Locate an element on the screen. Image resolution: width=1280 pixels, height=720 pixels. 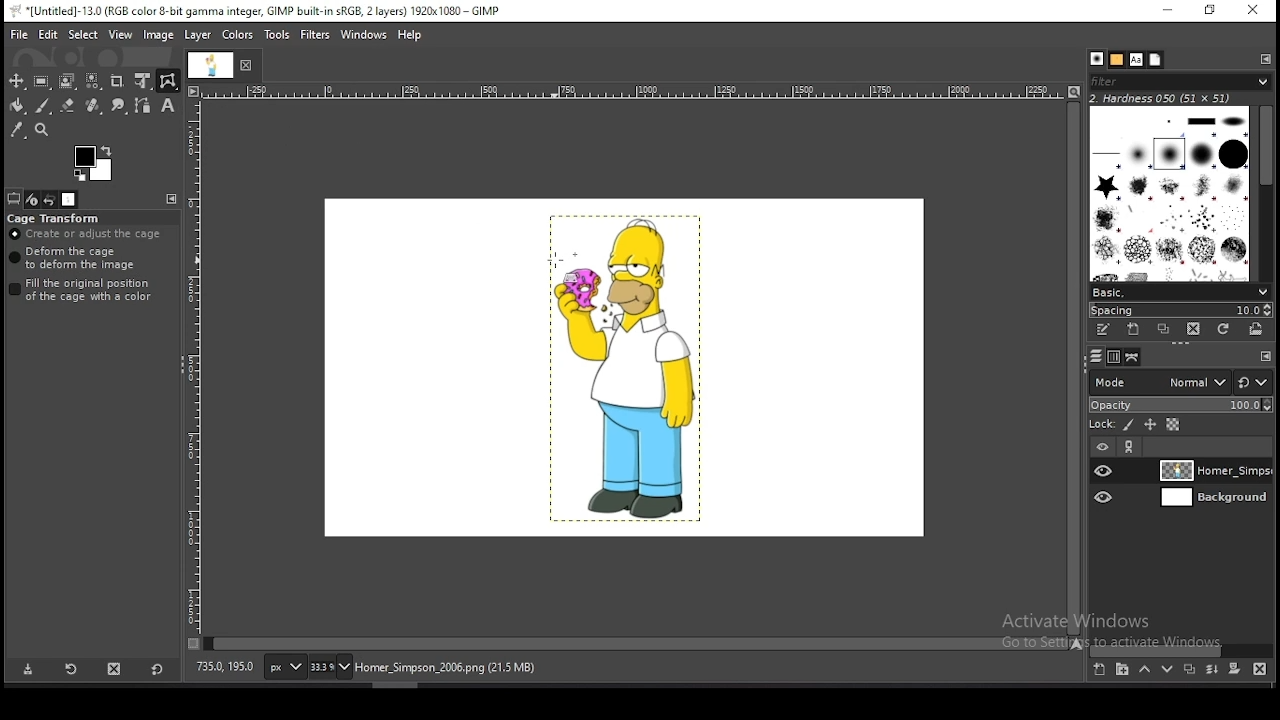
filters is located at coordinates (316, 35).